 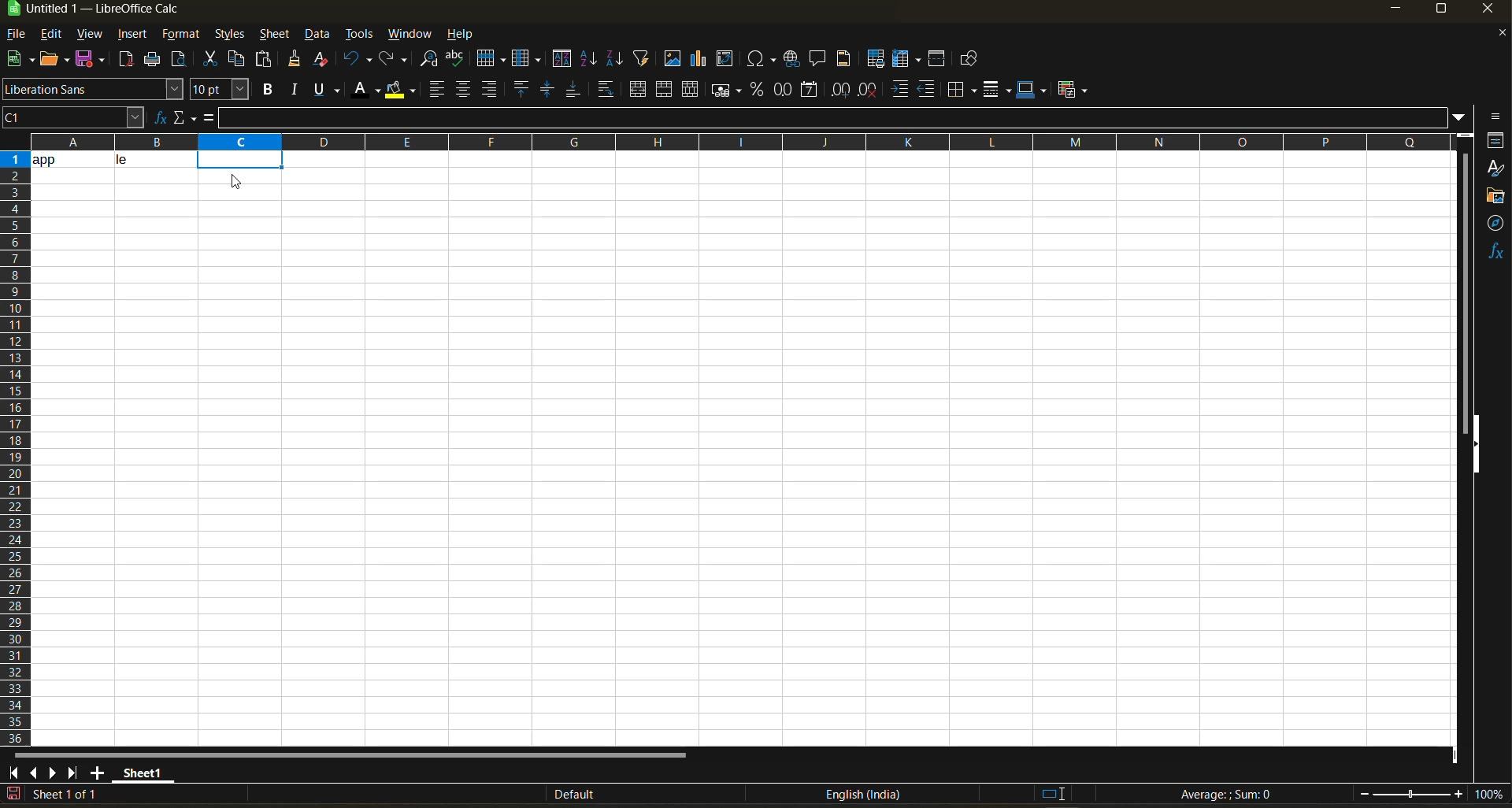 I want to click on Default, so click(x=561, y=795).